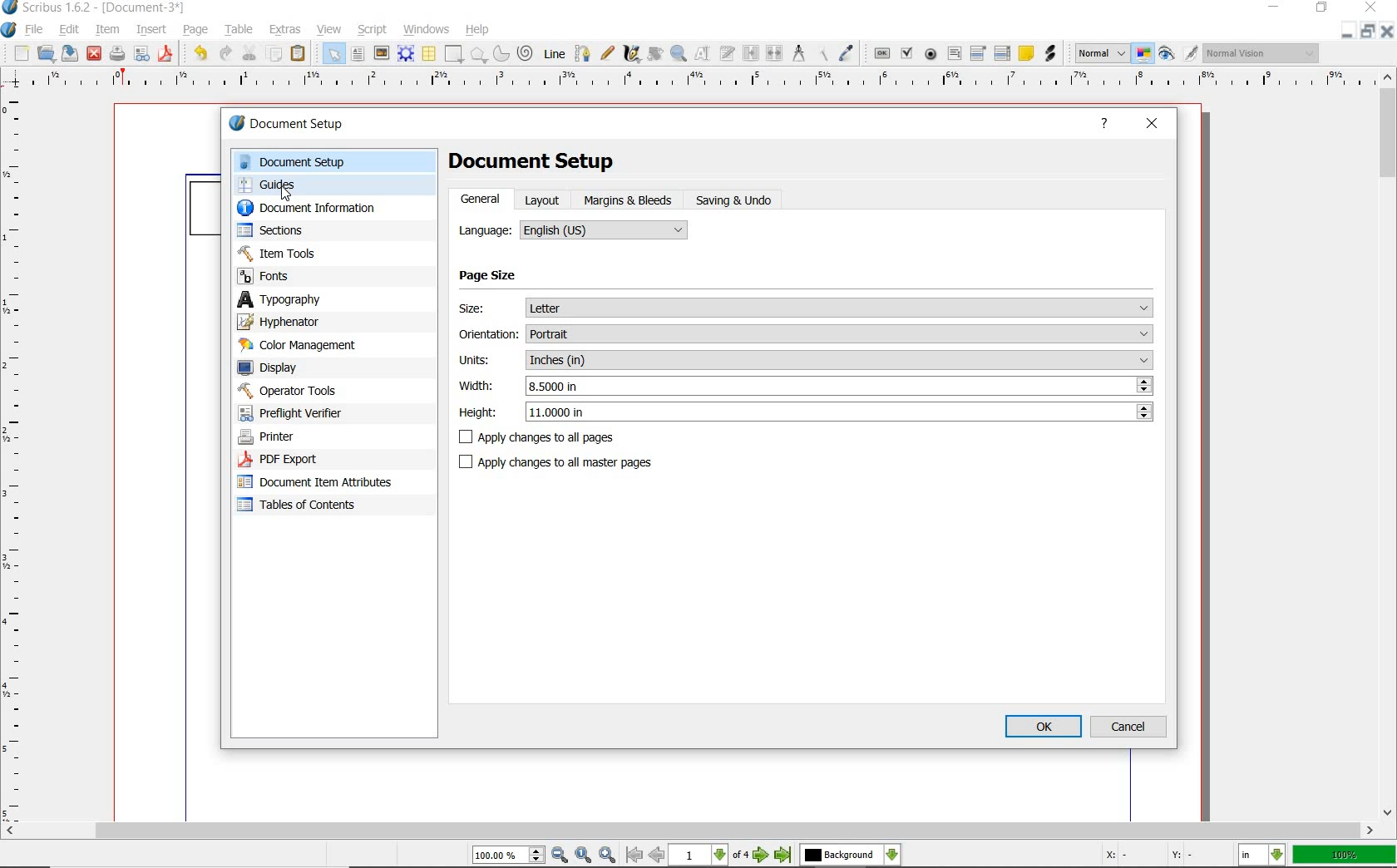  Describe the element at coordinates (491, 278) in the screenshot. I see `page size` at that location.